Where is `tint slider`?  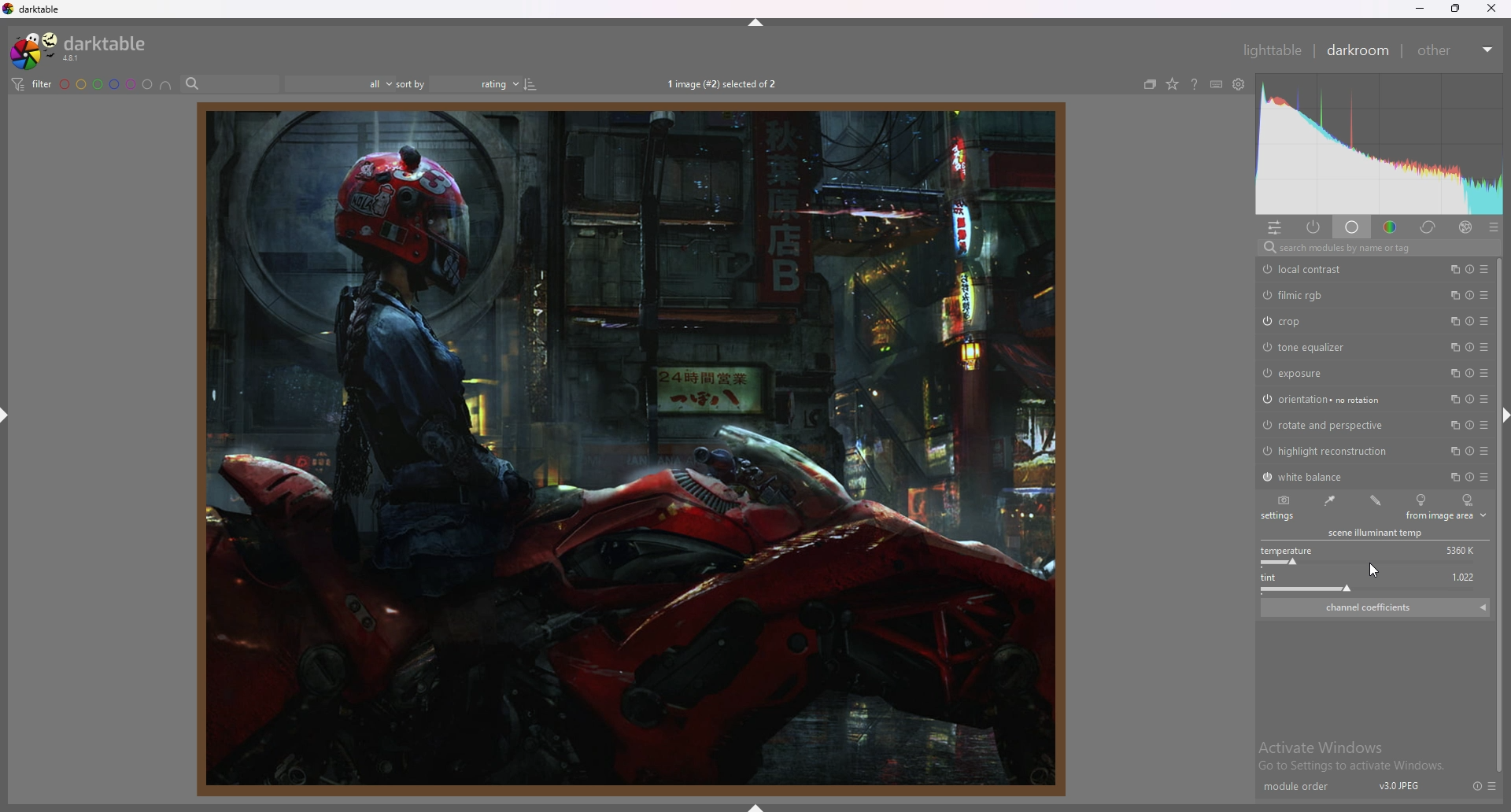 tint slider is located at coordinates (1366, 589).